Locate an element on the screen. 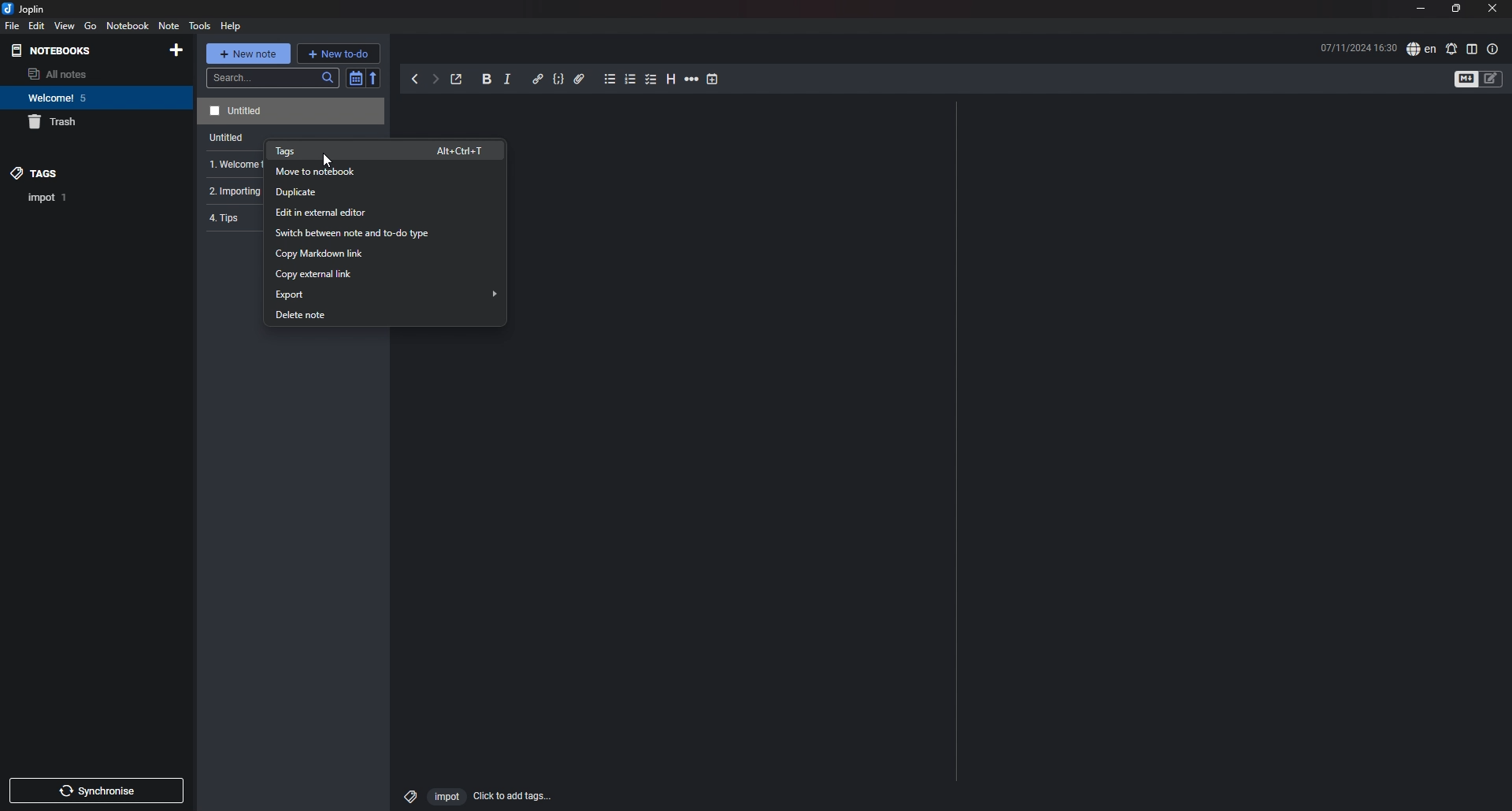  bullet list is located at coordinates (610, 80).